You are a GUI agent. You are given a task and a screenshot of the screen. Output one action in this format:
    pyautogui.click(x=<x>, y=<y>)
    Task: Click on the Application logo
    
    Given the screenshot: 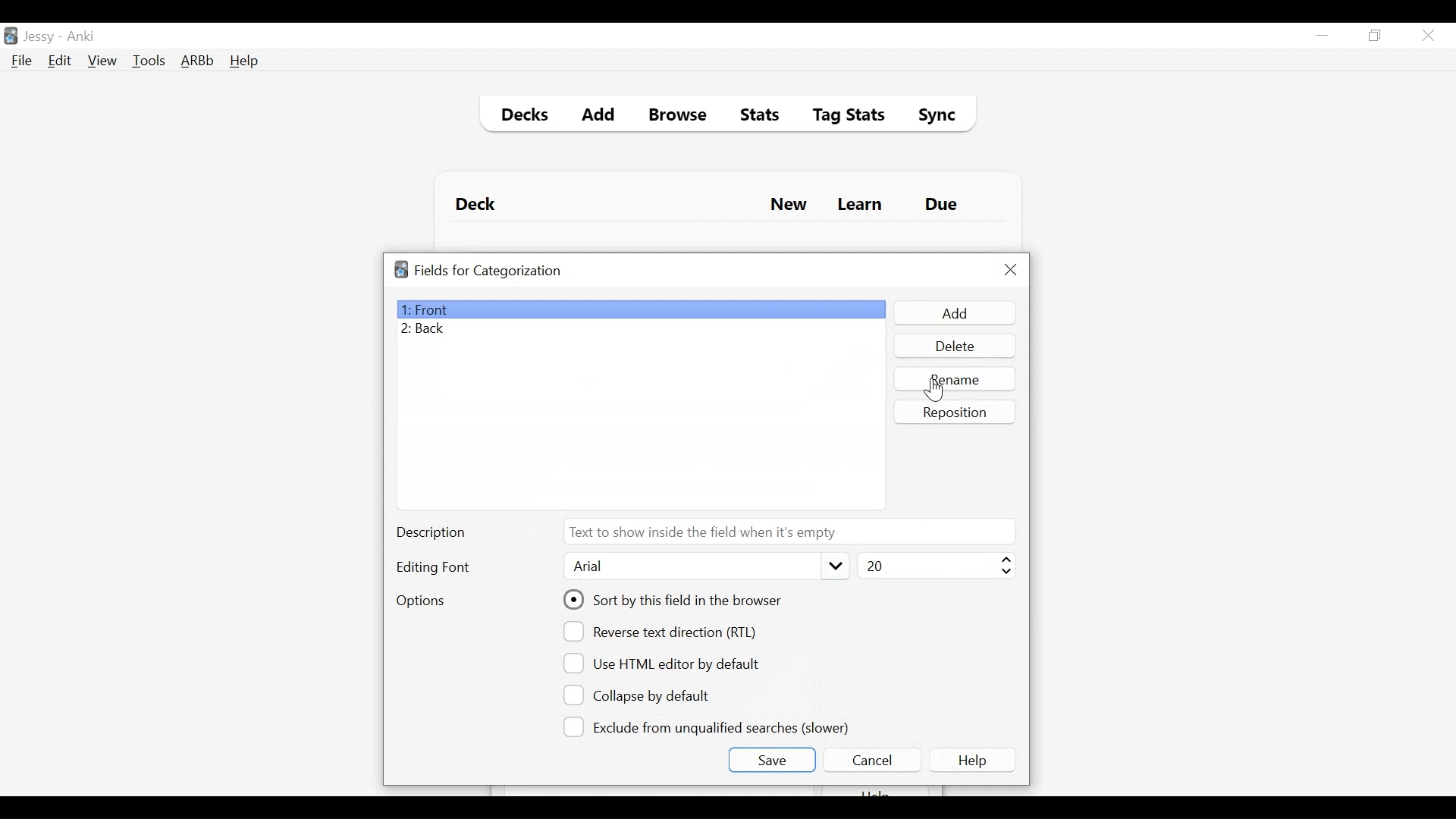 What is the action you would take?
    pyautogui.click(x=401, y=269)
    